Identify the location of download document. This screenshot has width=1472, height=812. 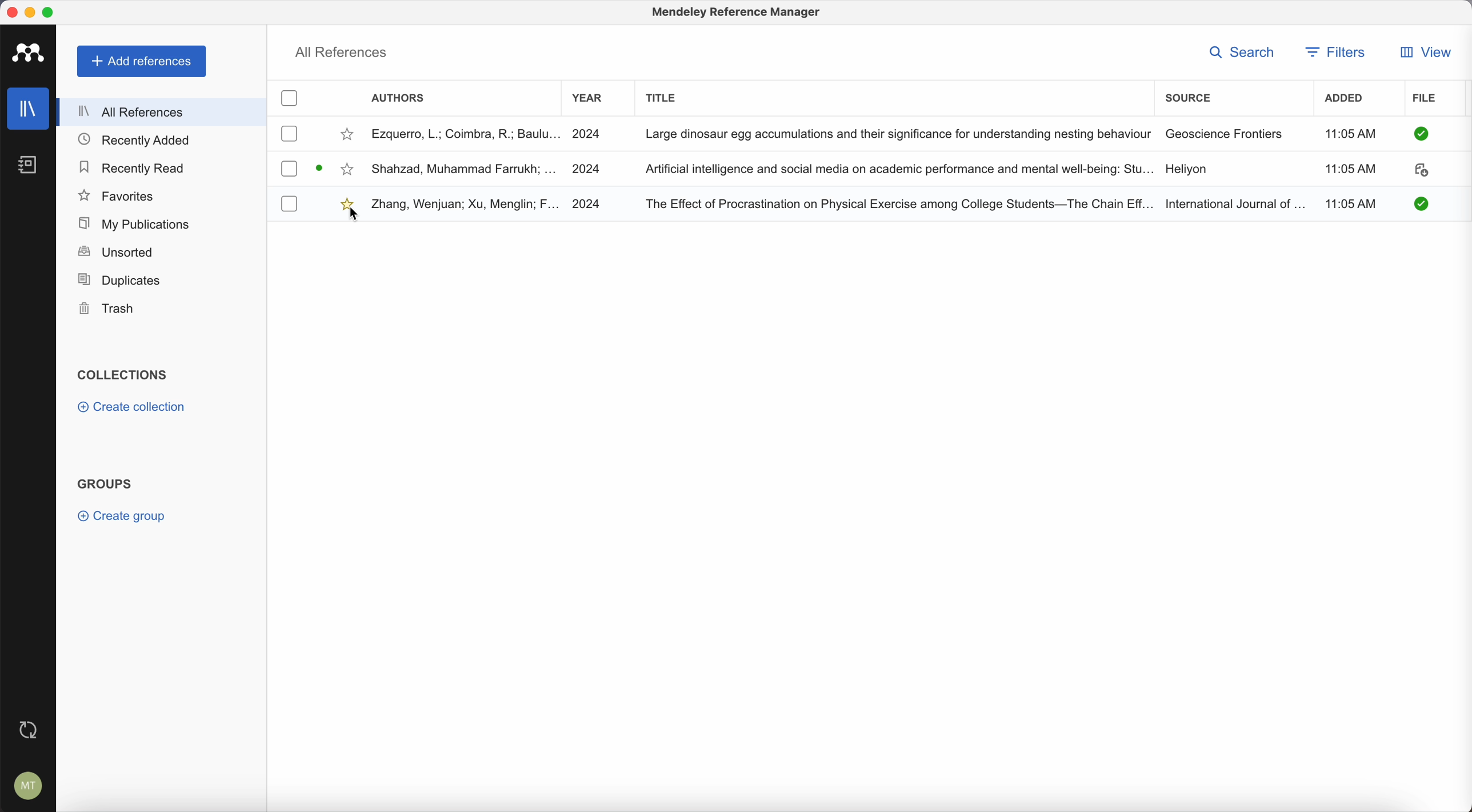
(1421, 172).